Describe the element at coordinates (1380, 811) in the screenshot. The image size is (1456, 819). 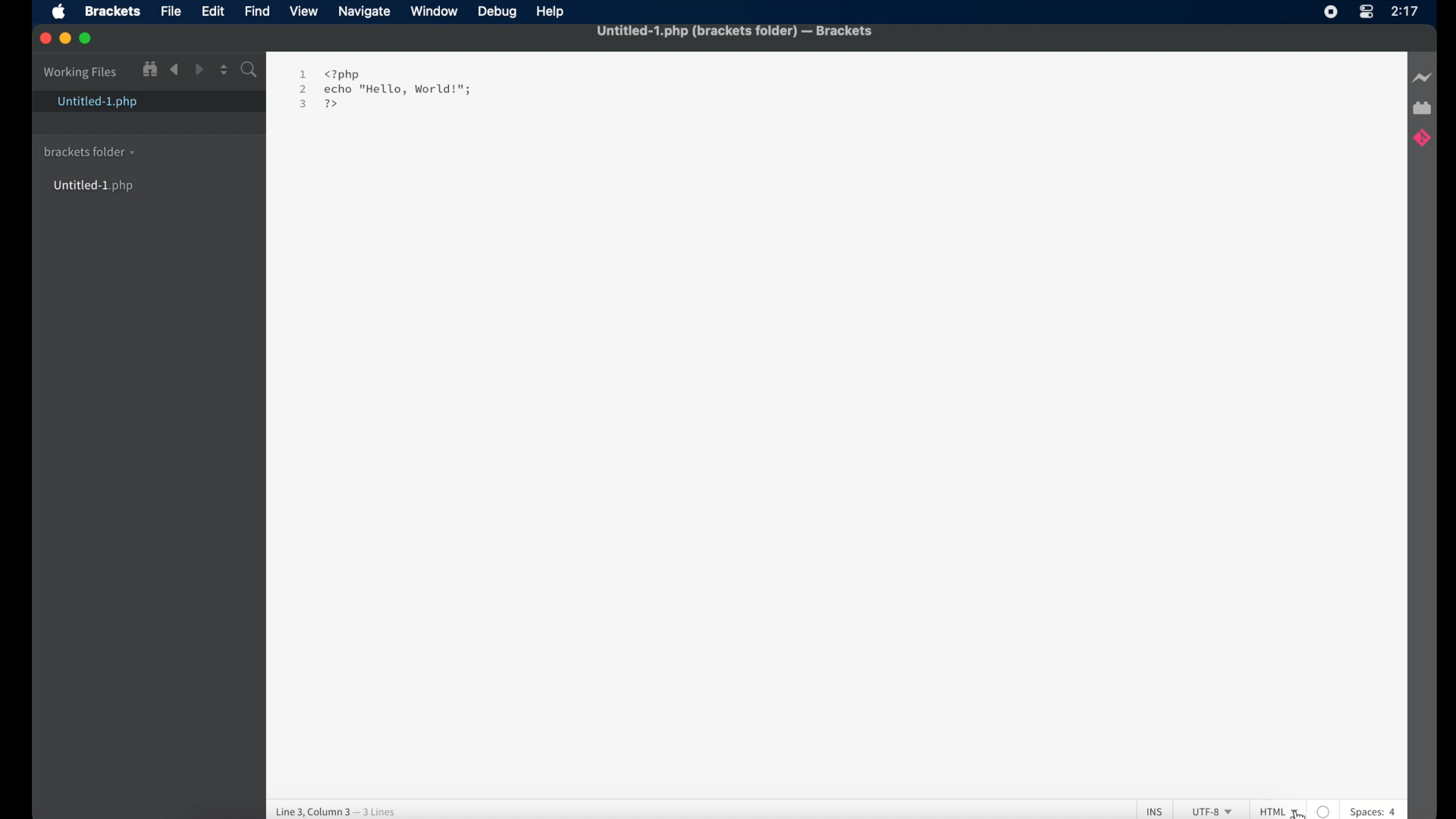
I see `spaces: 4` at that location.